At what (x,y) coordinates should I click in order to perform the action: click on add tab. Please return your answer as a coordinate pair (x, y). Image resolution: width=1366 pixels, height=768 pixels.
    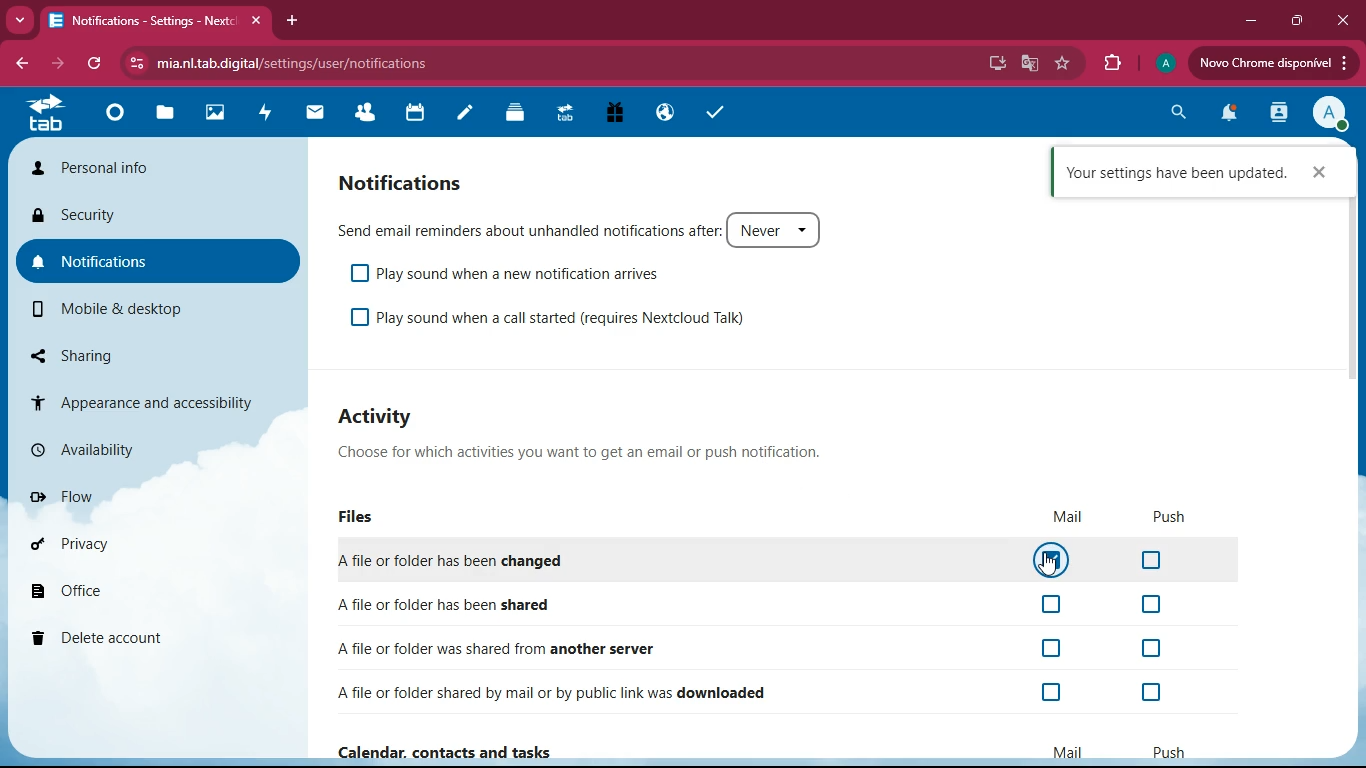
    Looking at the image, I should click on (292, 20).